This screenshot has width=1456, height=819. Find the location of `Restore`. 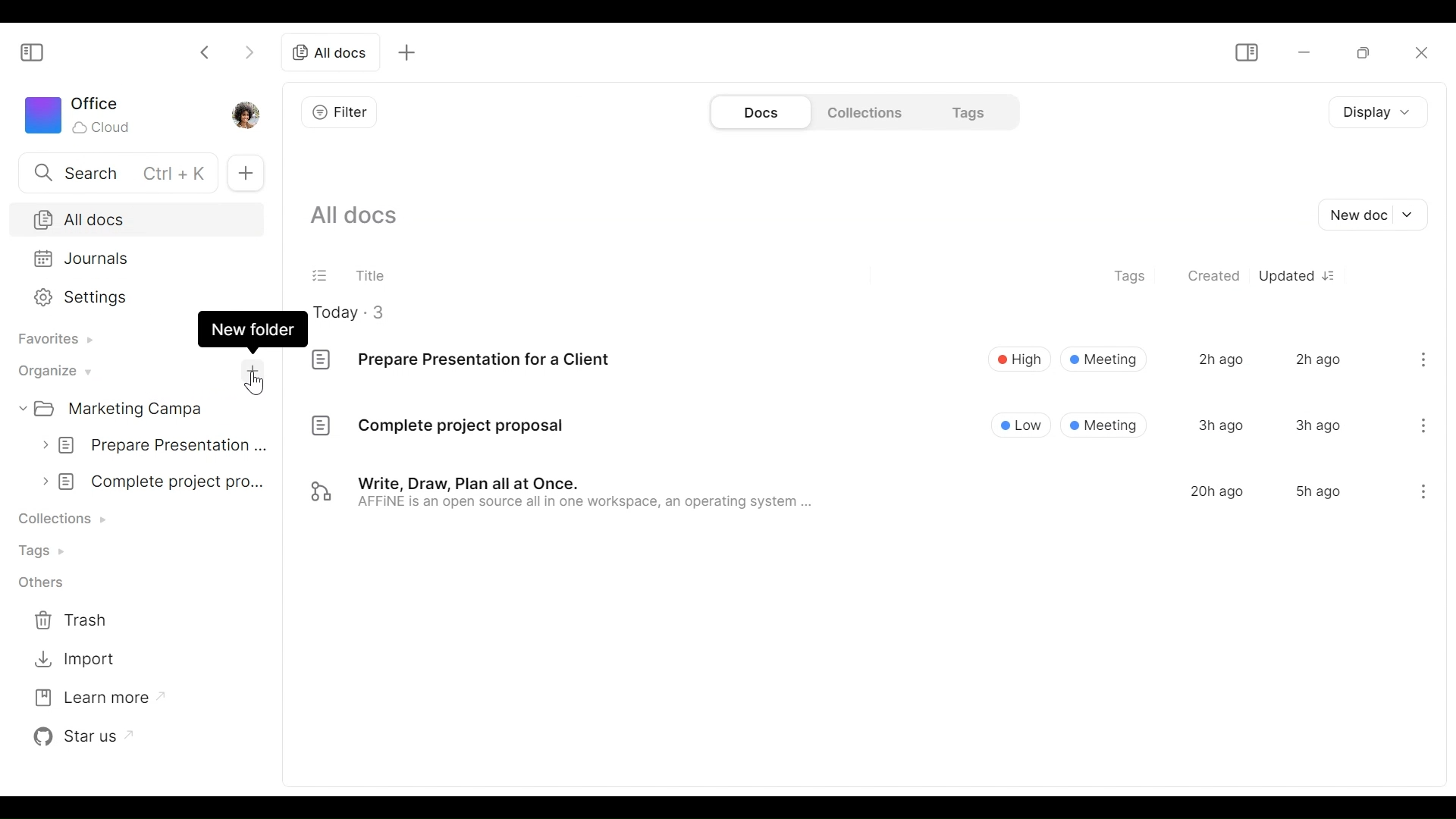

Restore is located at coordinates (1357, 52).